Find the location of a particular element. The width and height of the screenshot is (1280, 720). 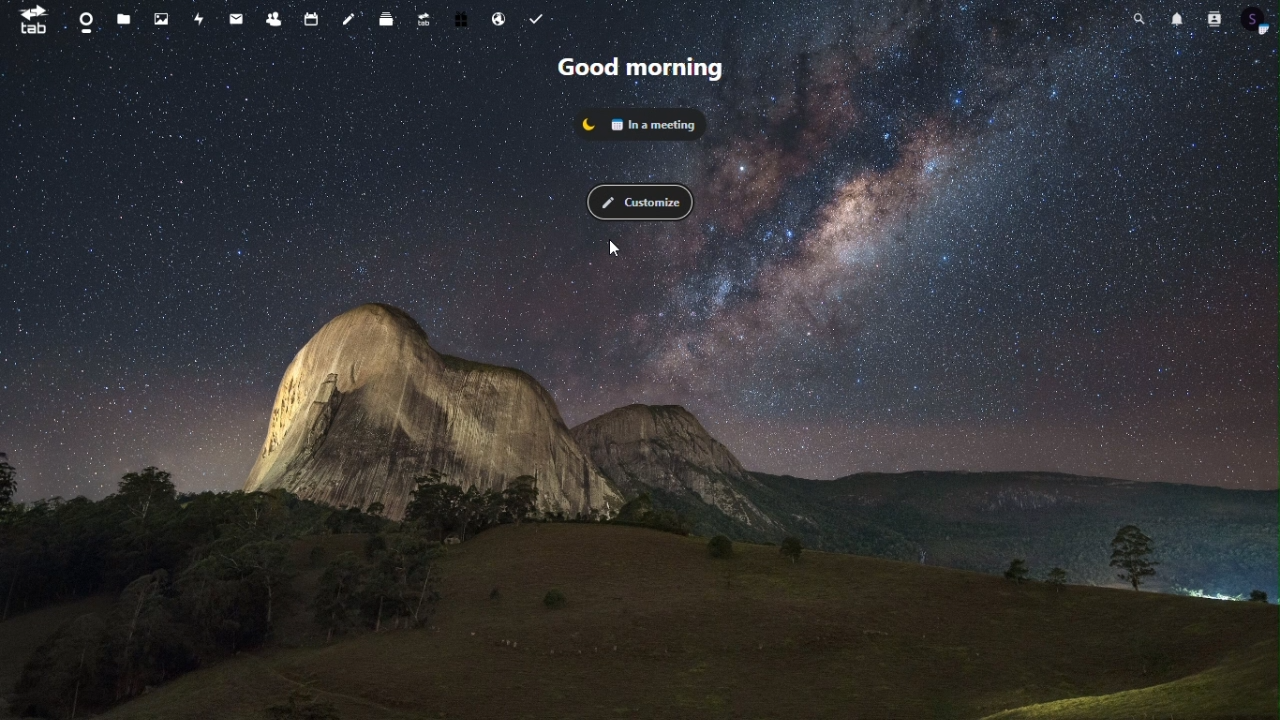

files is located at coordinates (127, 21).